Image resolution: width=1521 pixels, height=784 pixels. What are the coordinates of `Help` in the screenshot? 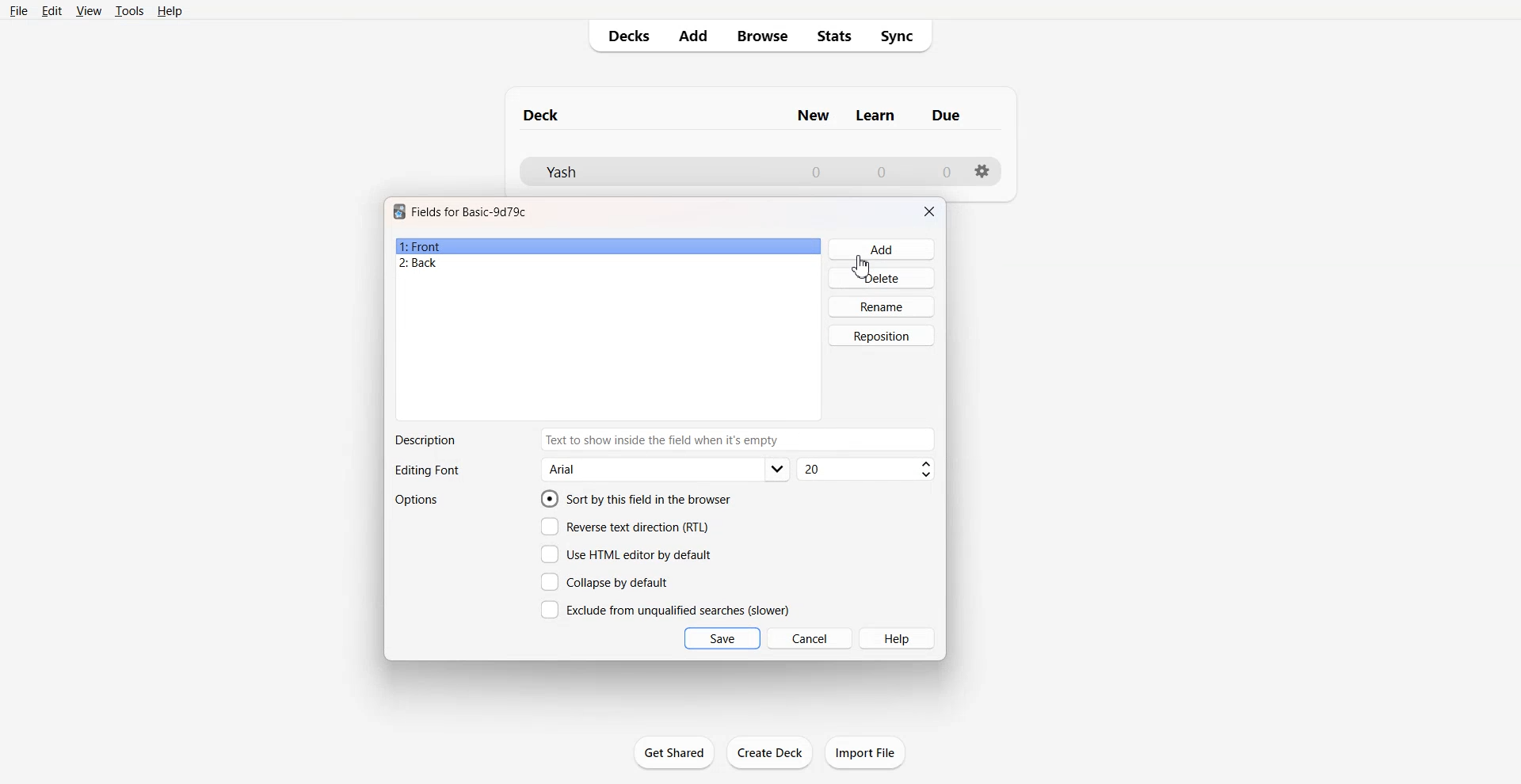 It's located at (898, 638).